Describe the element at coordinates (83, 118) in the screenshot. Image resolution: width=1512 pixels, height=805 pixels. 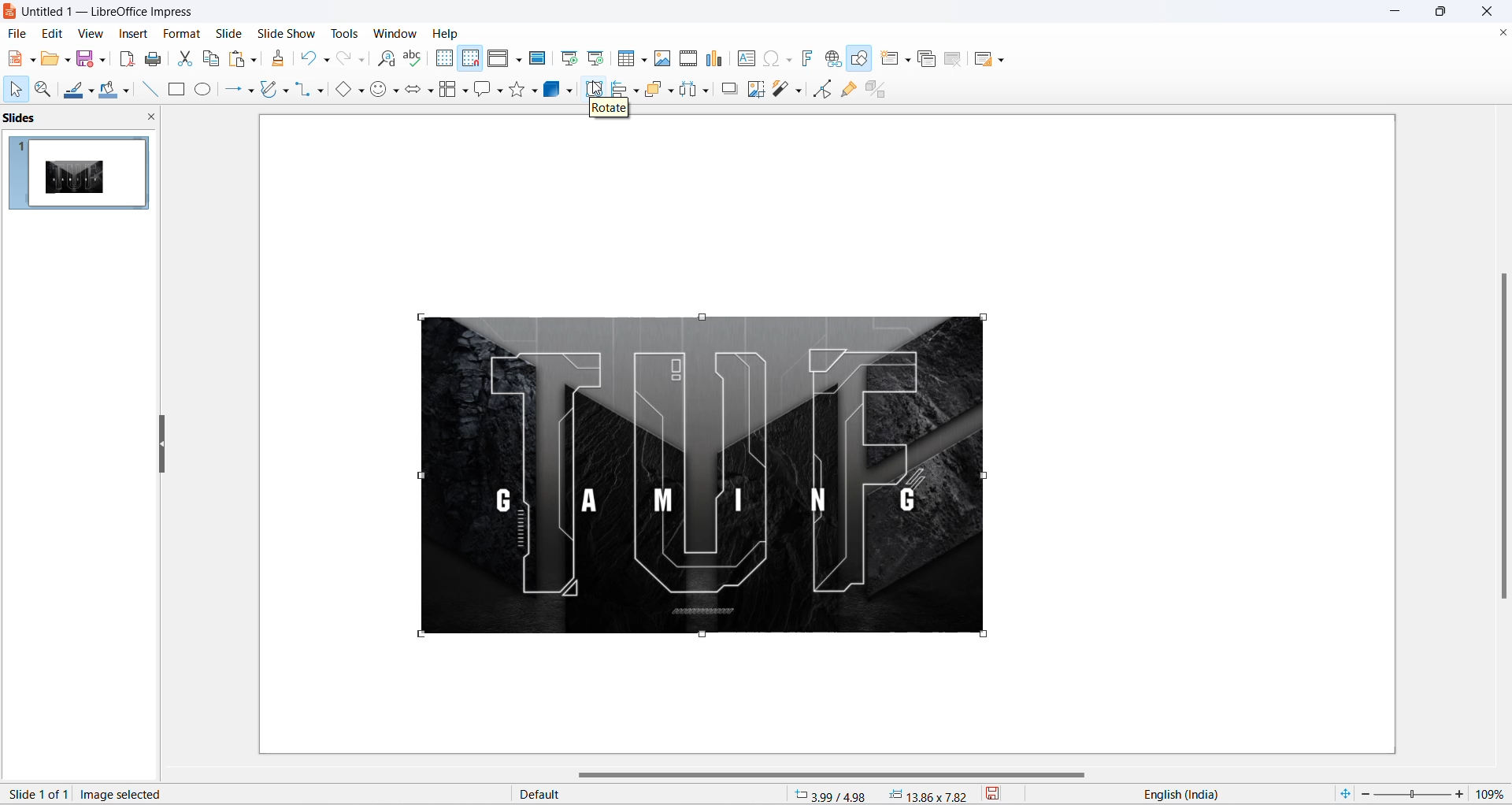
I see `slides and close slide` at that location.